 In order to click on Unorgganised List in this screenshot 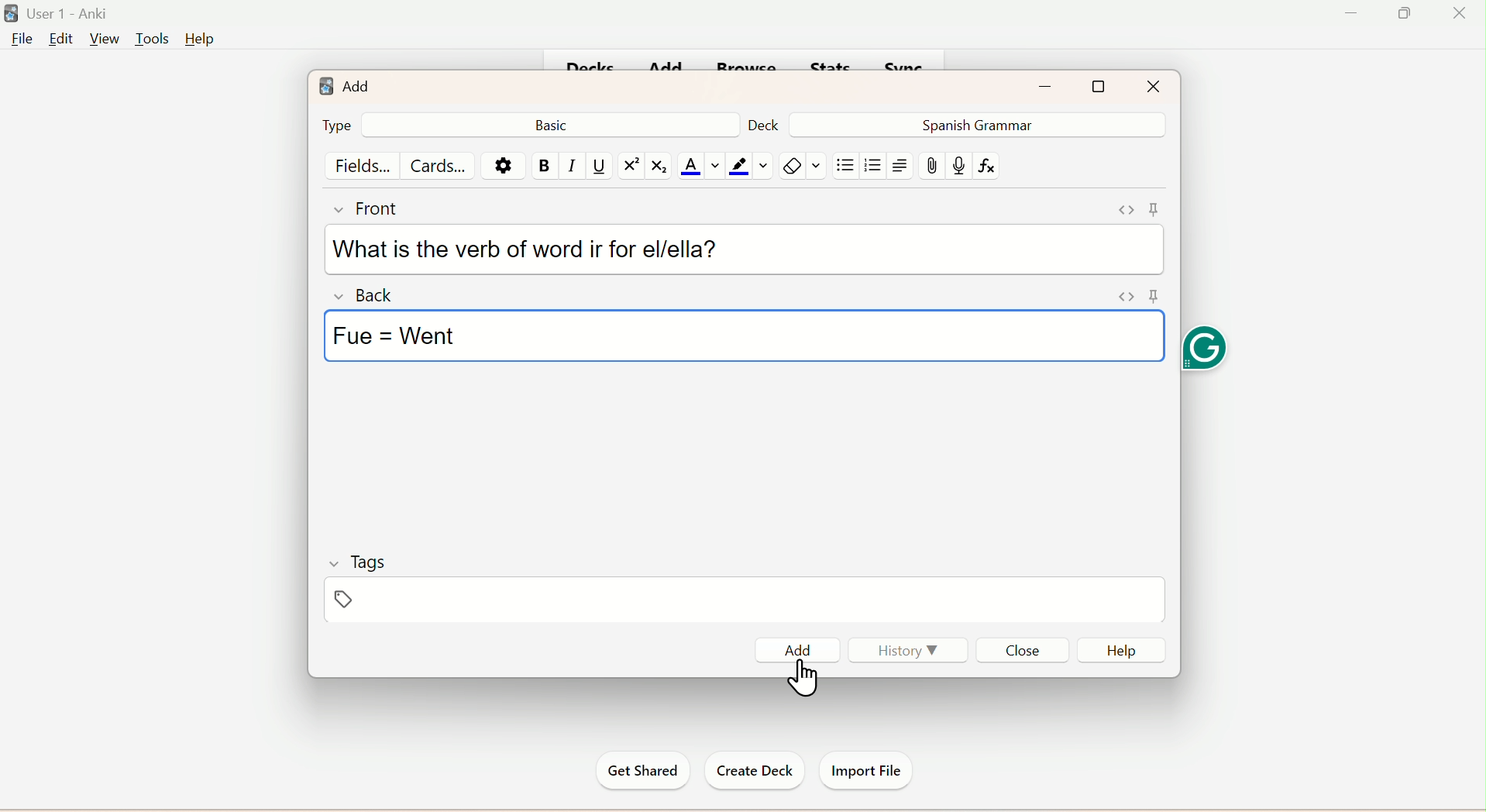, I will do `click(845, 166)`.